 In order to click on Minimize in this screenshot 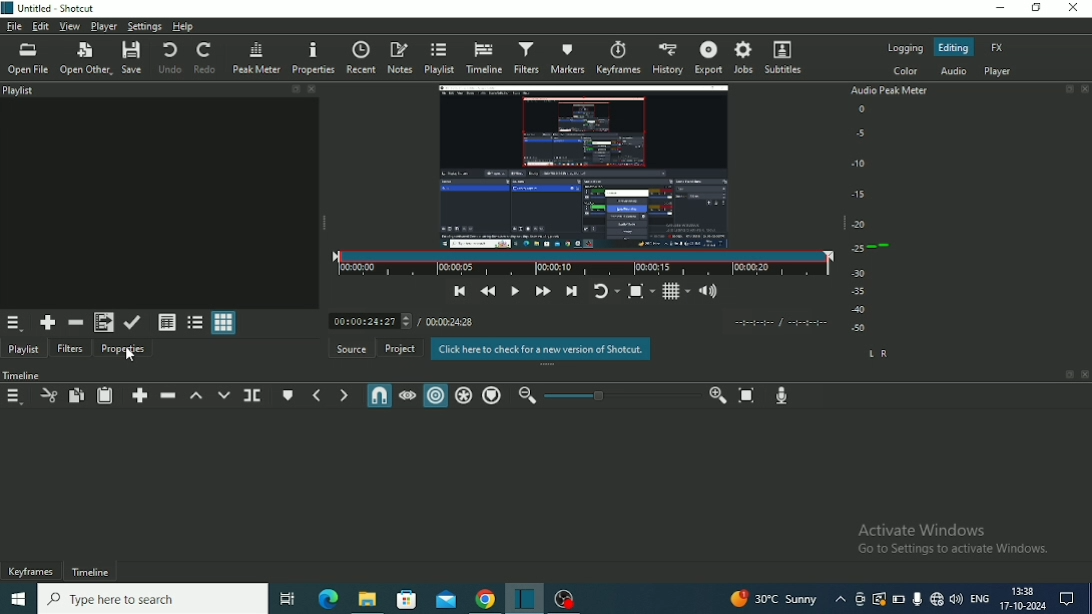, I will do `click(998, 8)`.